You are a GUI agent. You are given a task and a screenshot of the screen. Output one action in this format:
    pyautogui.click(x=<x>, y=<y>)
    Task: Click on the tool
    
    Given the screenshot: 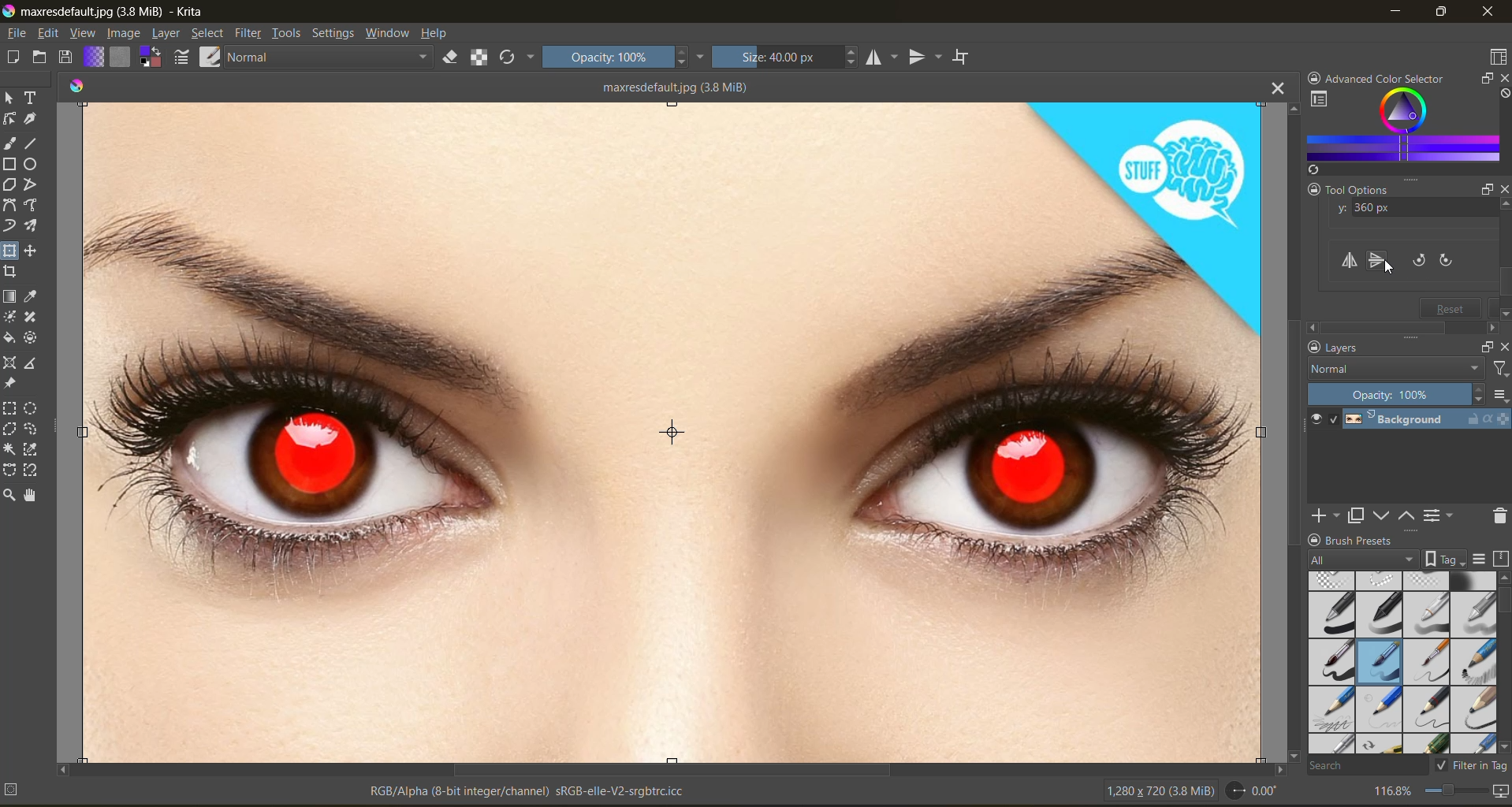 What is the action you would take?
    pyautogui.click(x=36, y=295)
    